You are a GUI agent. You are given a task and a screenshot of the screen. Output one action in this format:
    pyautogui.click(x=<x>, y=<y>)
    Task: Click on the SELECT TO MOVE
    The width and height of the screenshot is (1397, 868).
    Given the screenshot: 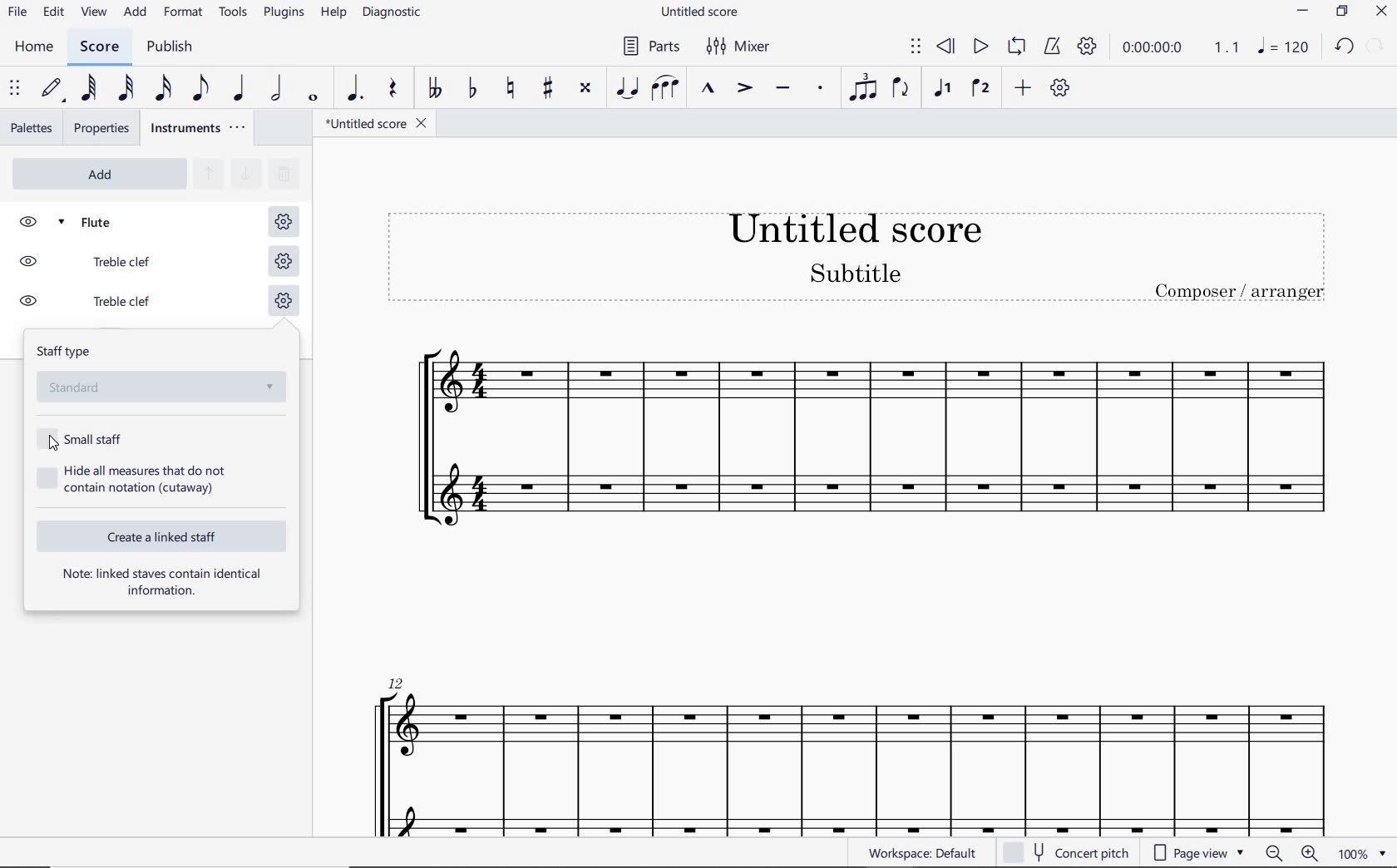 What is the action you would take?
    pyautogui.click(x=15, y=91)
    